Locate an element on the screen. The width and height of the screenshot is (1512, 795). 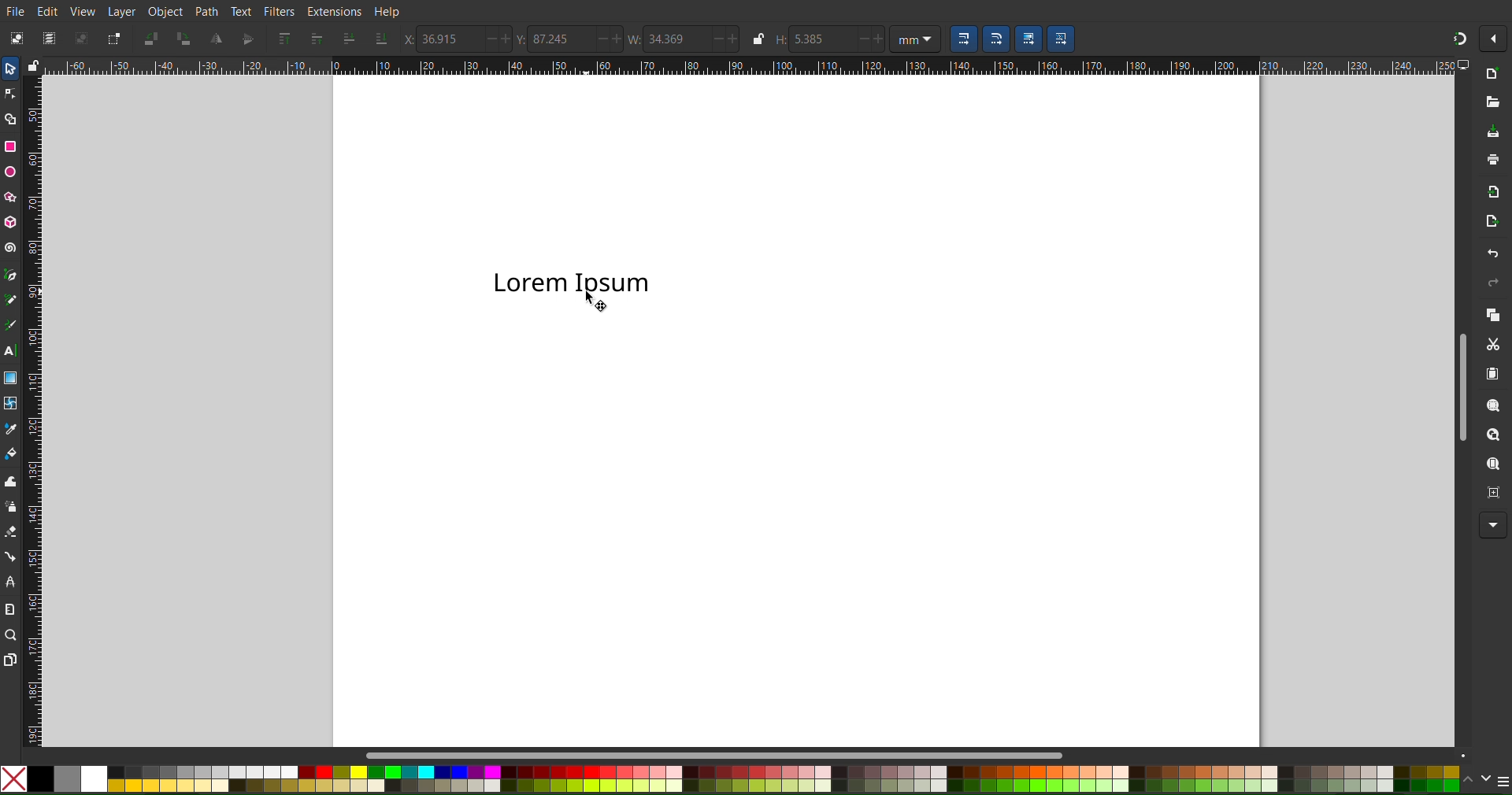
Cursor is located at coordinates (587, 306).